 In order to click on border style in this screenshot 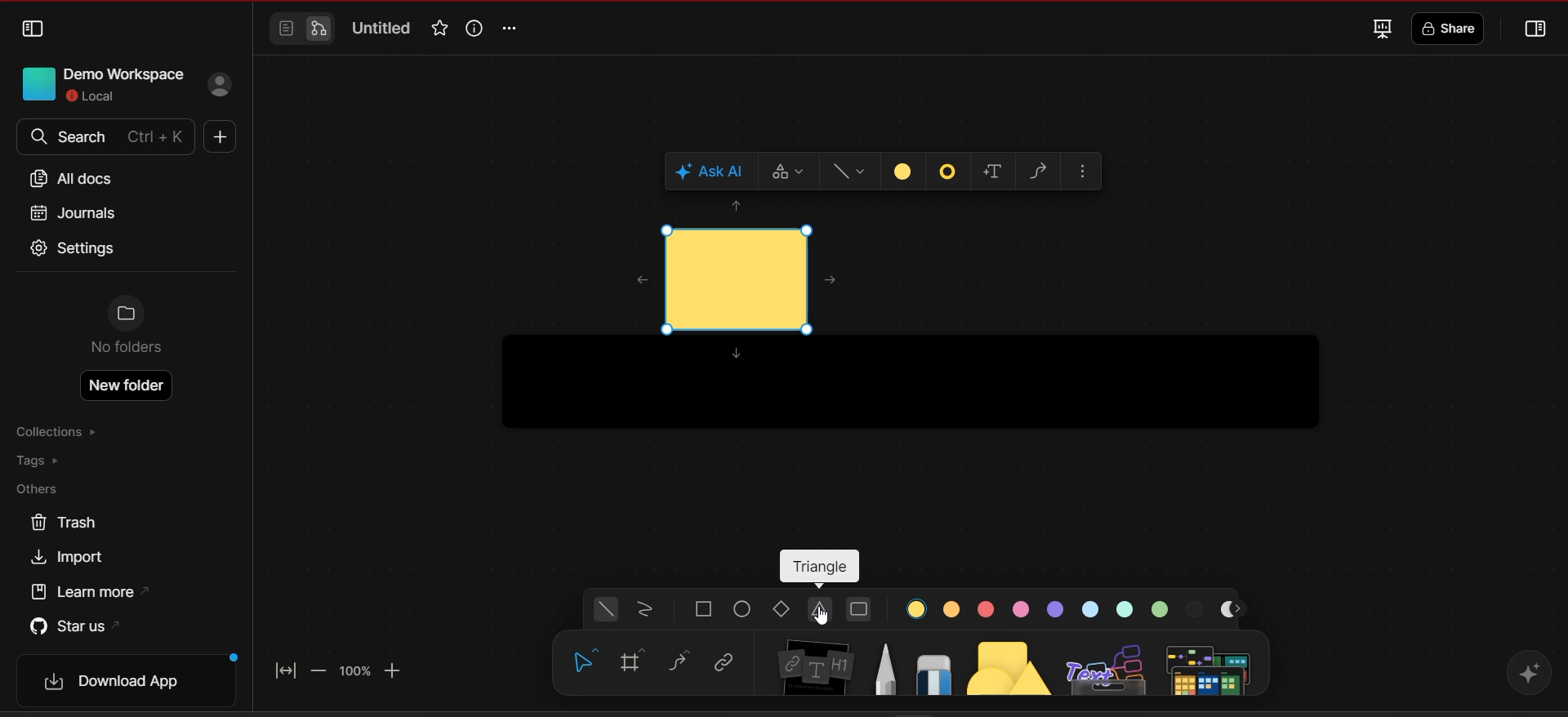, I will do `click(945, 171)`.